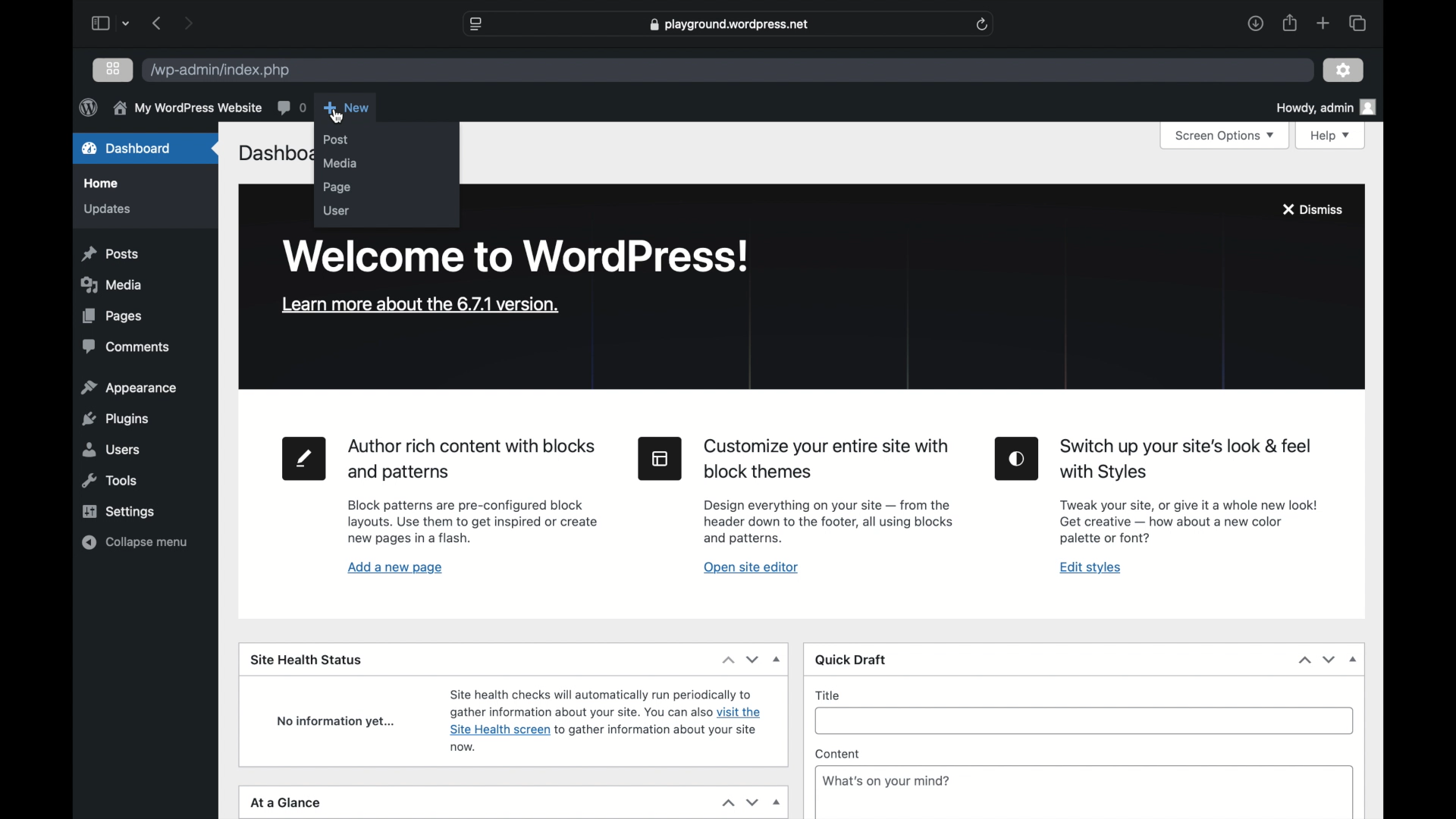 Image resolution: width=1456 pixels, height=819 pixels. Describe the element at coordinates (420, 306) in the screenshot. I see `learn more about the version 6.7.2` at that location.